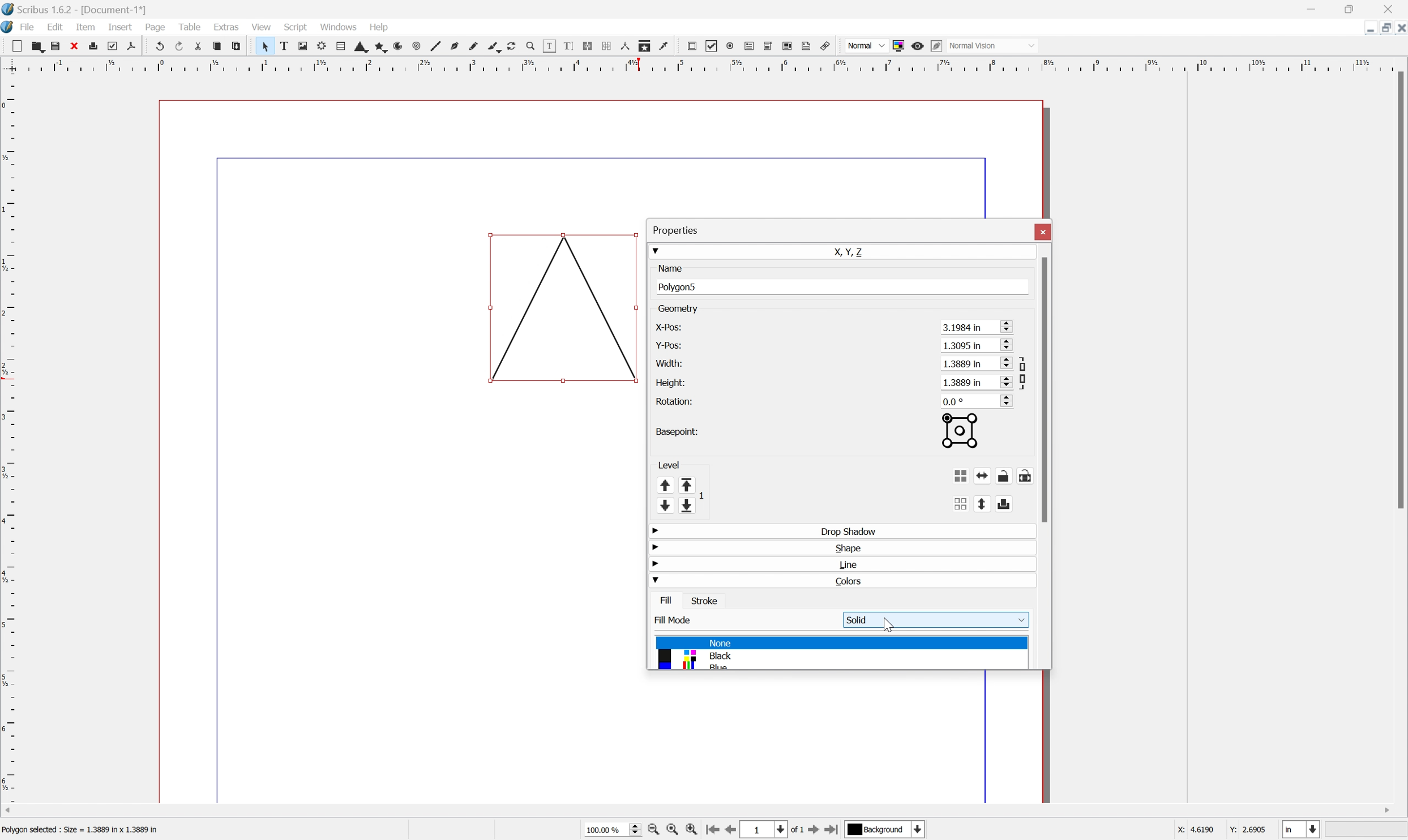  I want to click on Arc, so click(395, 46).